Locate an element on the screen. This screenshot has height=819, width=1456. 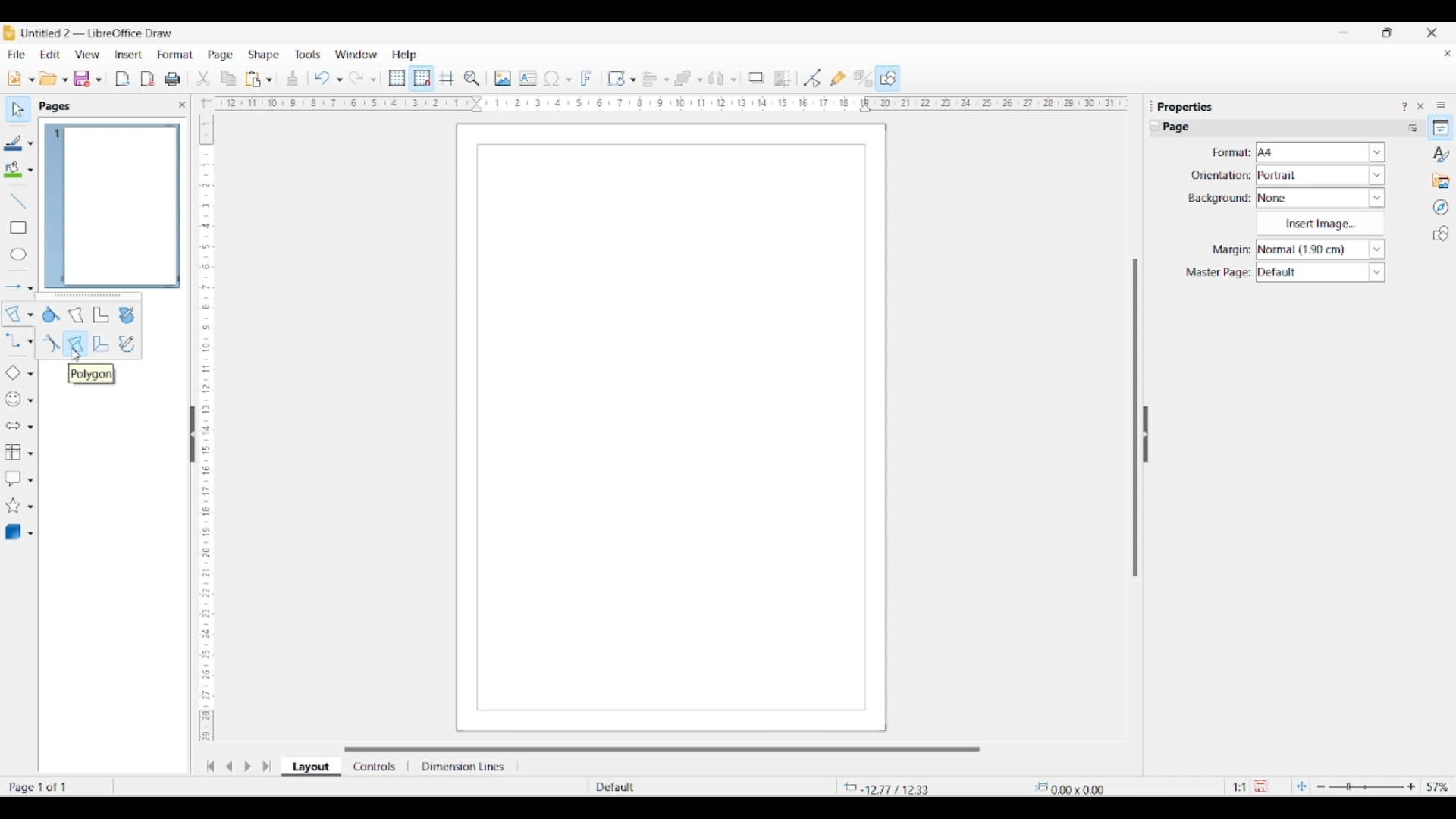
Crop image is located at coordinates (783, 78).